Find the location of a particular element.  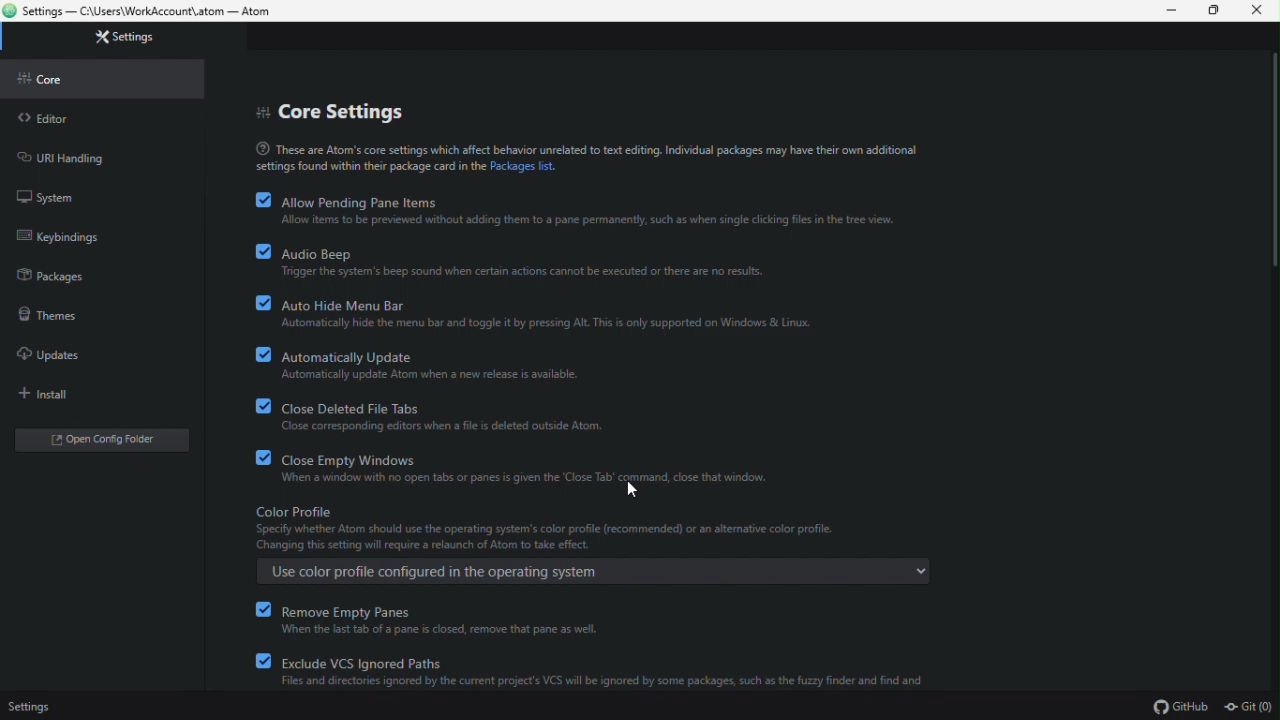

restore is located at coordinates (1219, 12).